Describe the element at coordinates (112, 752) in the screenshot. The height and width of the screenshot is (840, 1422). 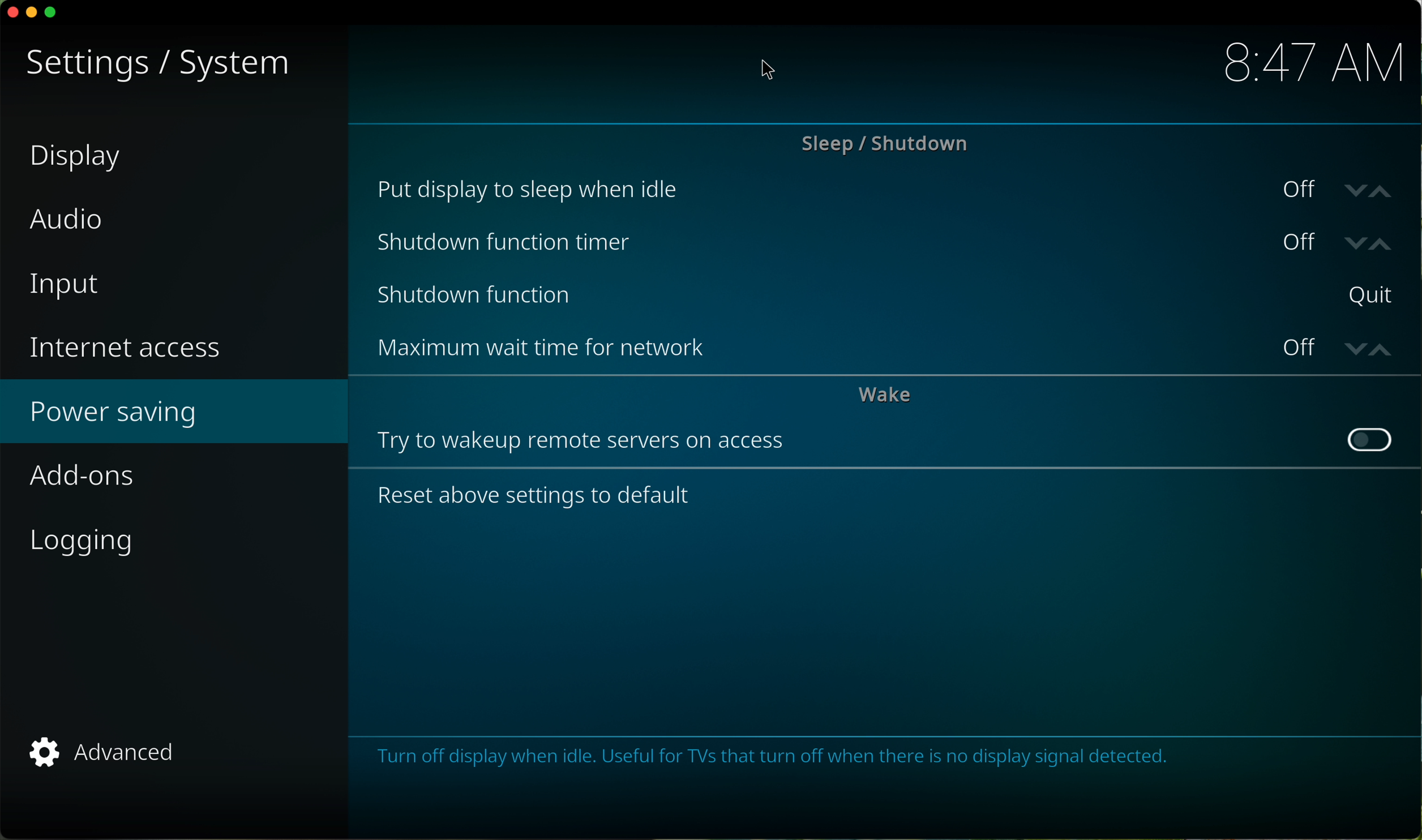
I see `advanced` at that location.